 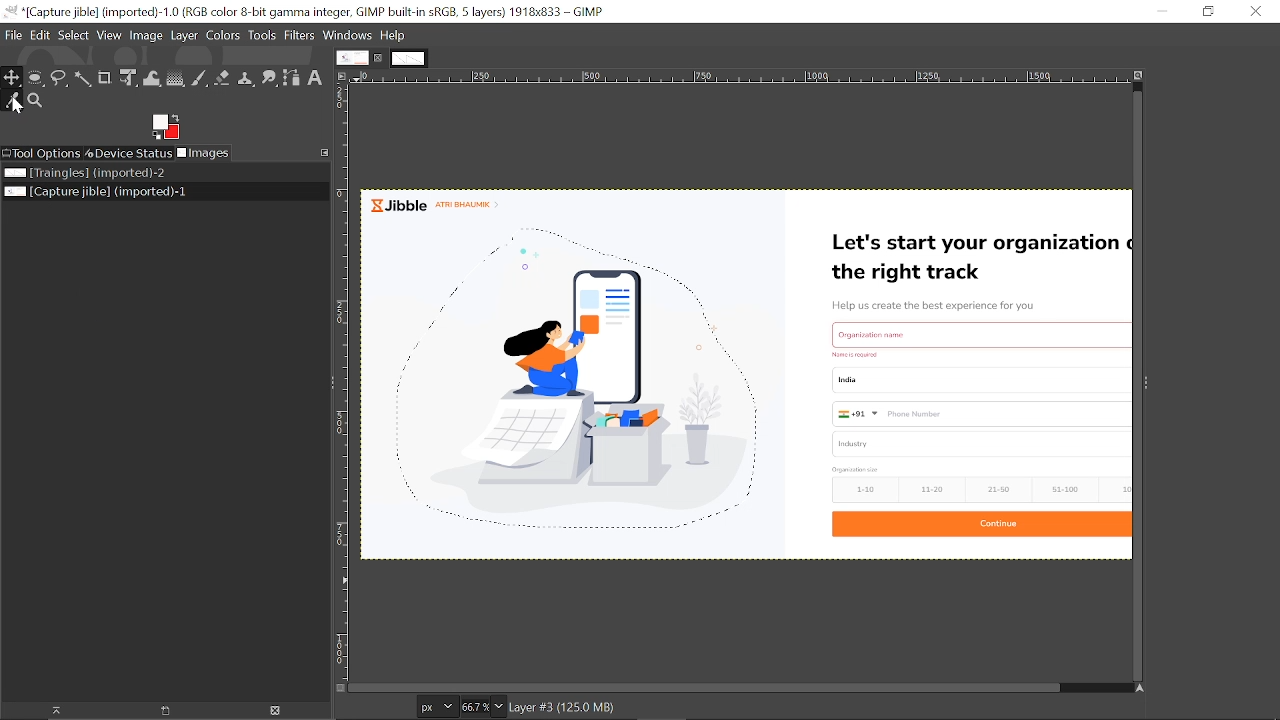 What do you see at coordinates (146, 36) in the screenshot?
I see `Image` at bounding box center [146, 36].